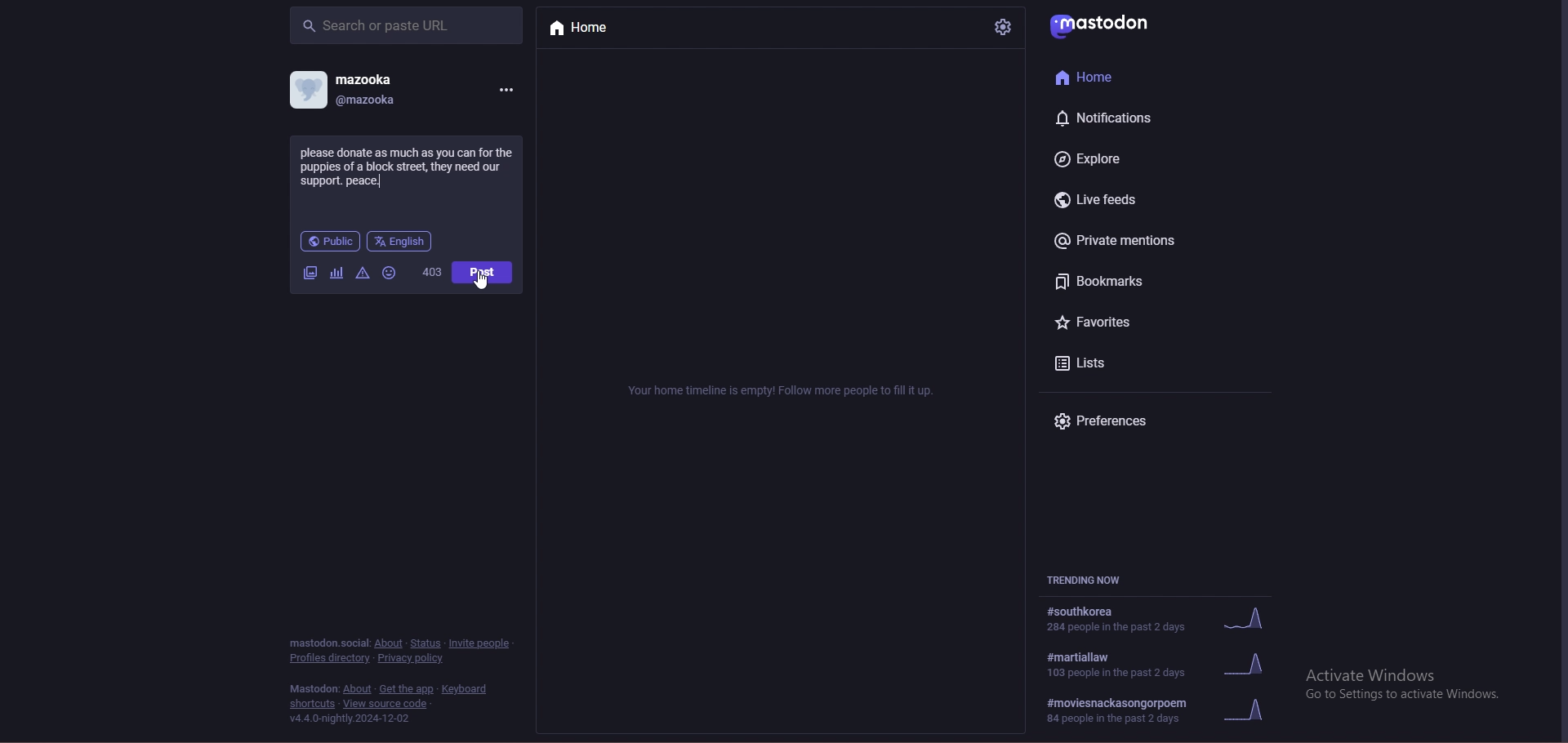 The width and height of the screenshot is (1568, 743). What do you see at coordinates (354, 719) in the screenshot?
I see `version` at bounding box center [354, 719].